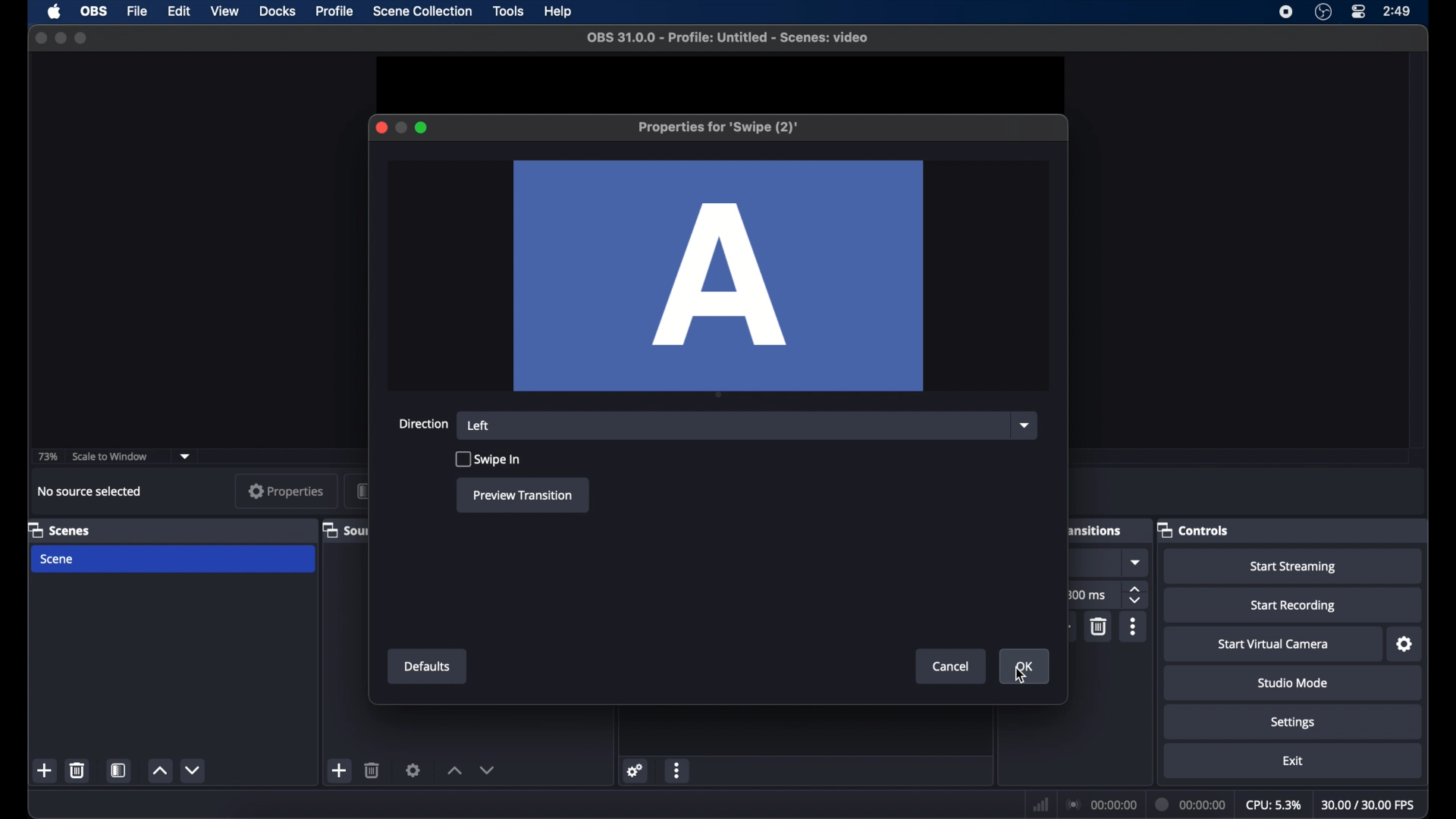 The width and height of the screenshot is (1456, 819). I want to click on close, so click(381, 127).